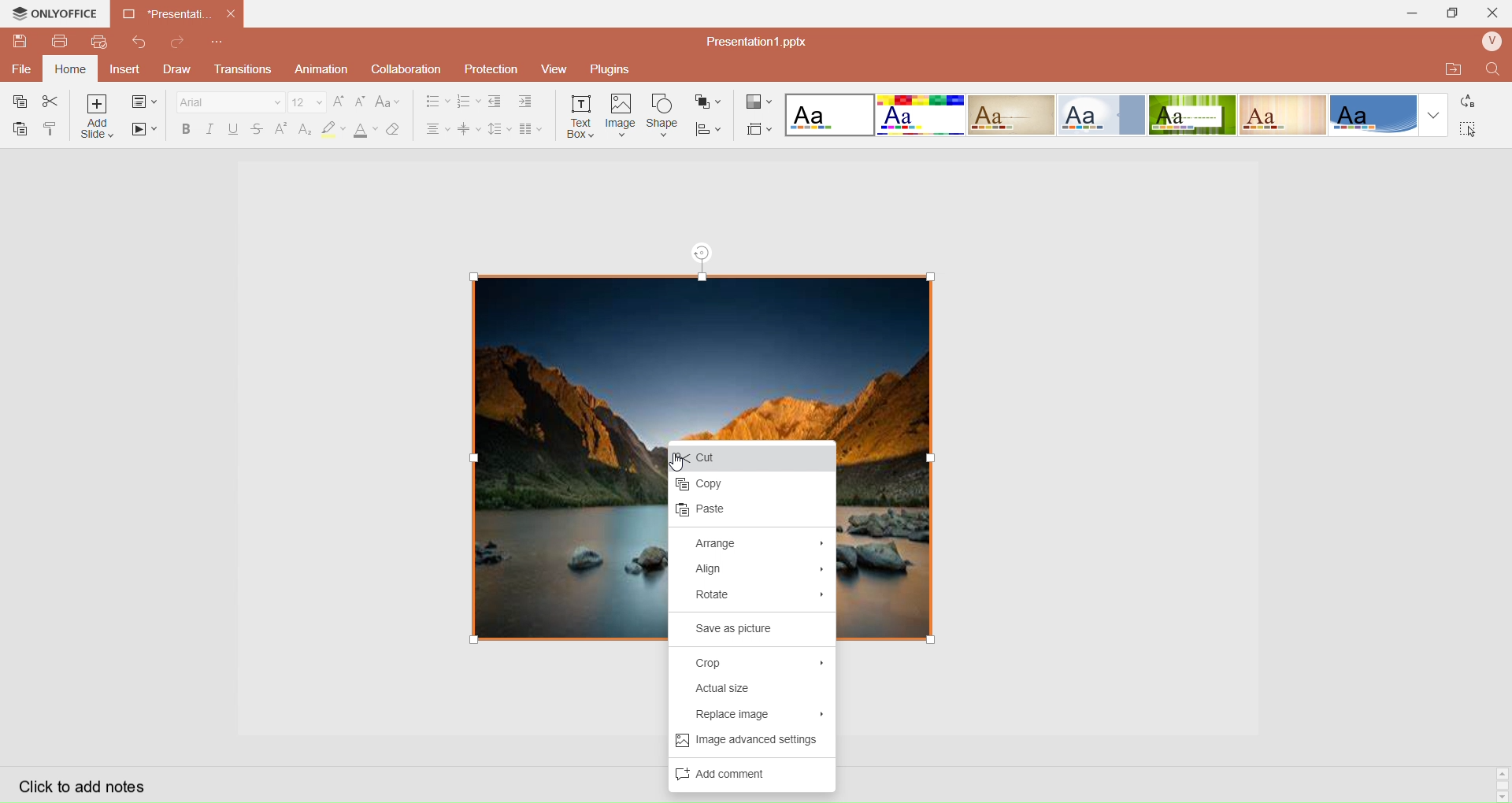 The width and height of the screenshot is (1512, 803). I want to click on close document, so click(234, 15).